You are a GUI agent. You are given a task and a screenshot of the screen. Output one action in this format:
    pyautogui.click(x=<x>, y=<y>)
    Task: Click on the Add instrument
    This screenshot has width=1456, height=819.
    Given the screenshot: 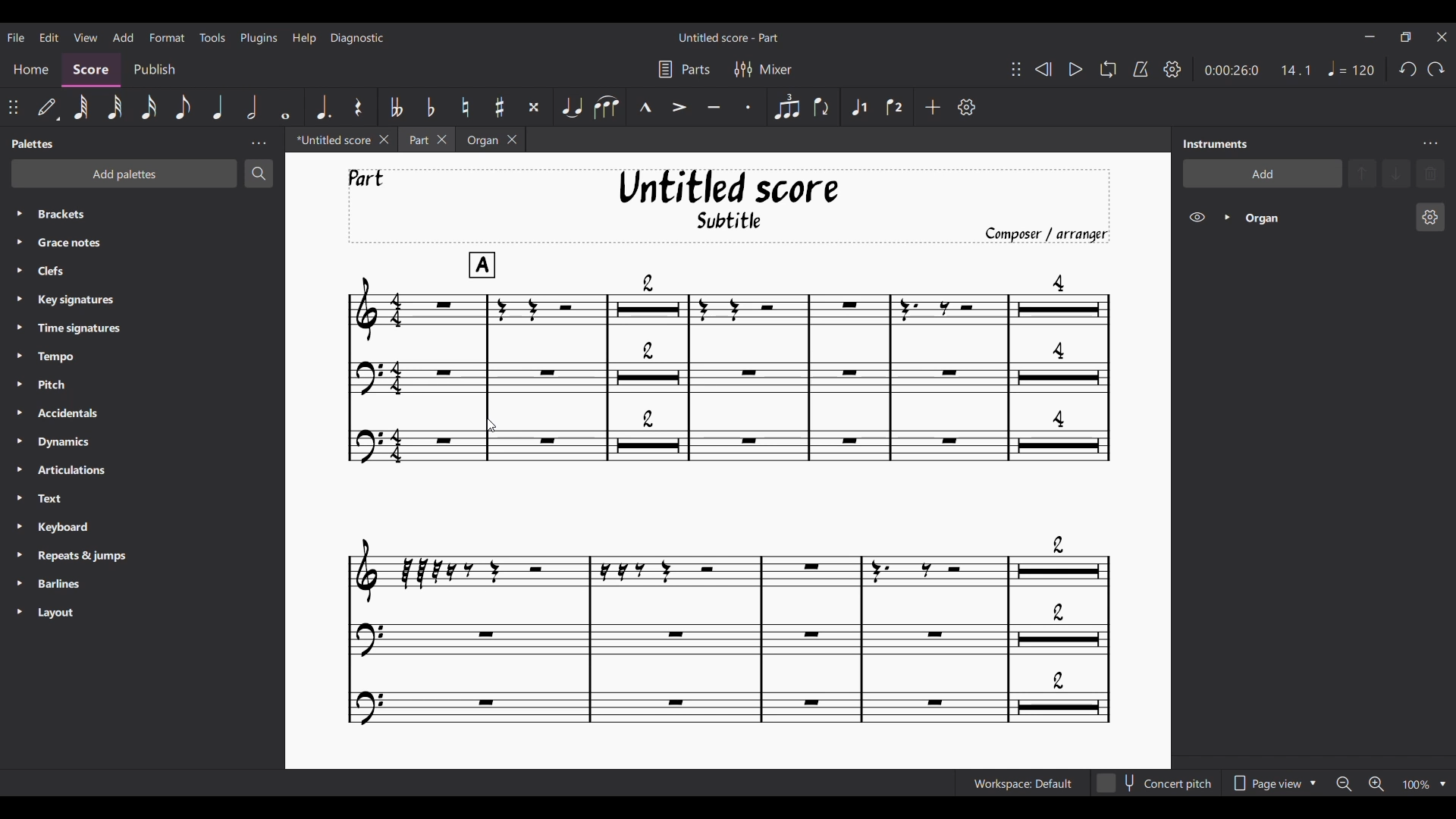 What is the action you would take?
    pyautogui.click(x=1262, y=173)
    